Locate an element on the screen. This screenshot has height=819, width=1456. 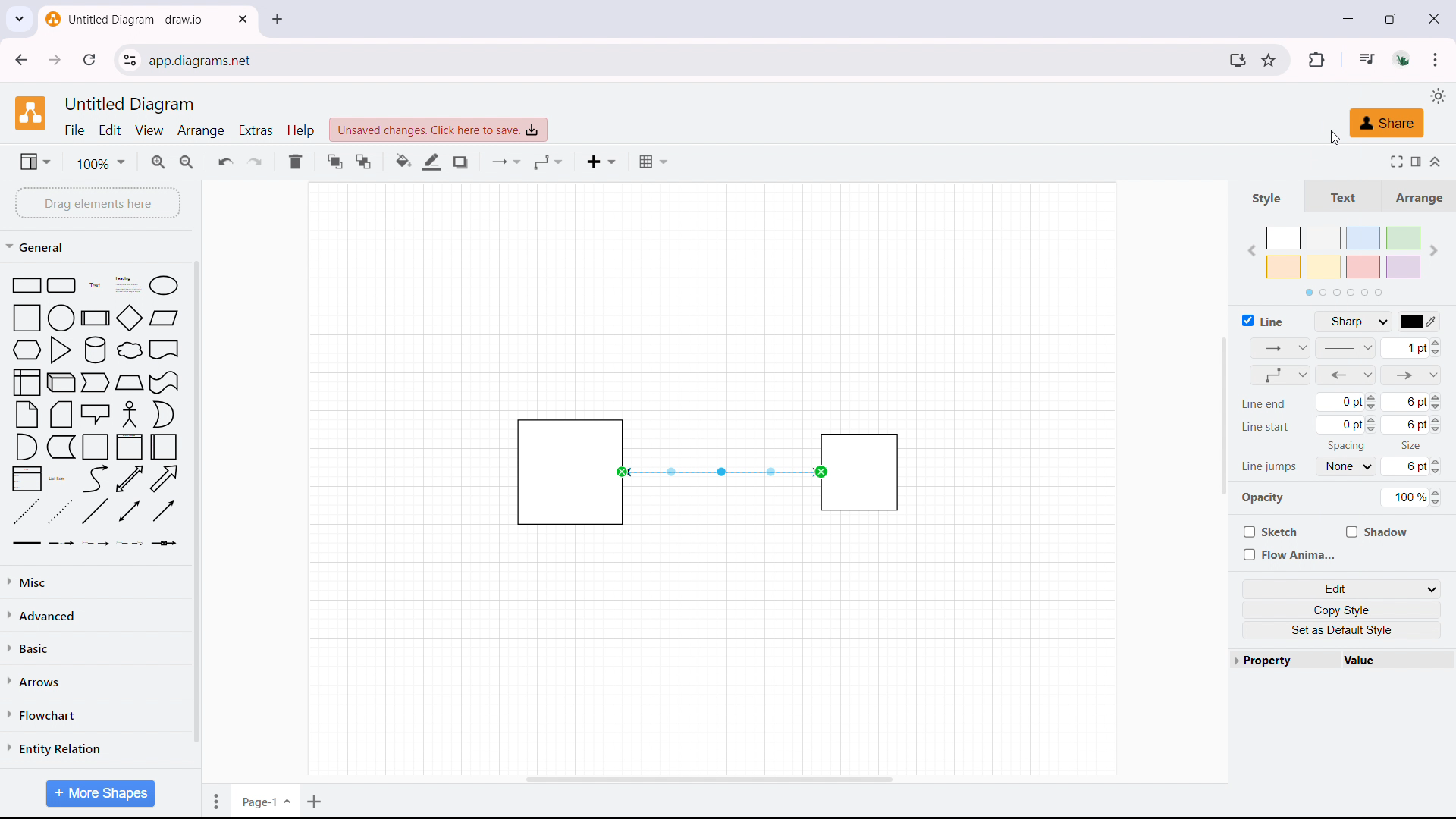
collapse/expand is located at coordinates (1438, 160).